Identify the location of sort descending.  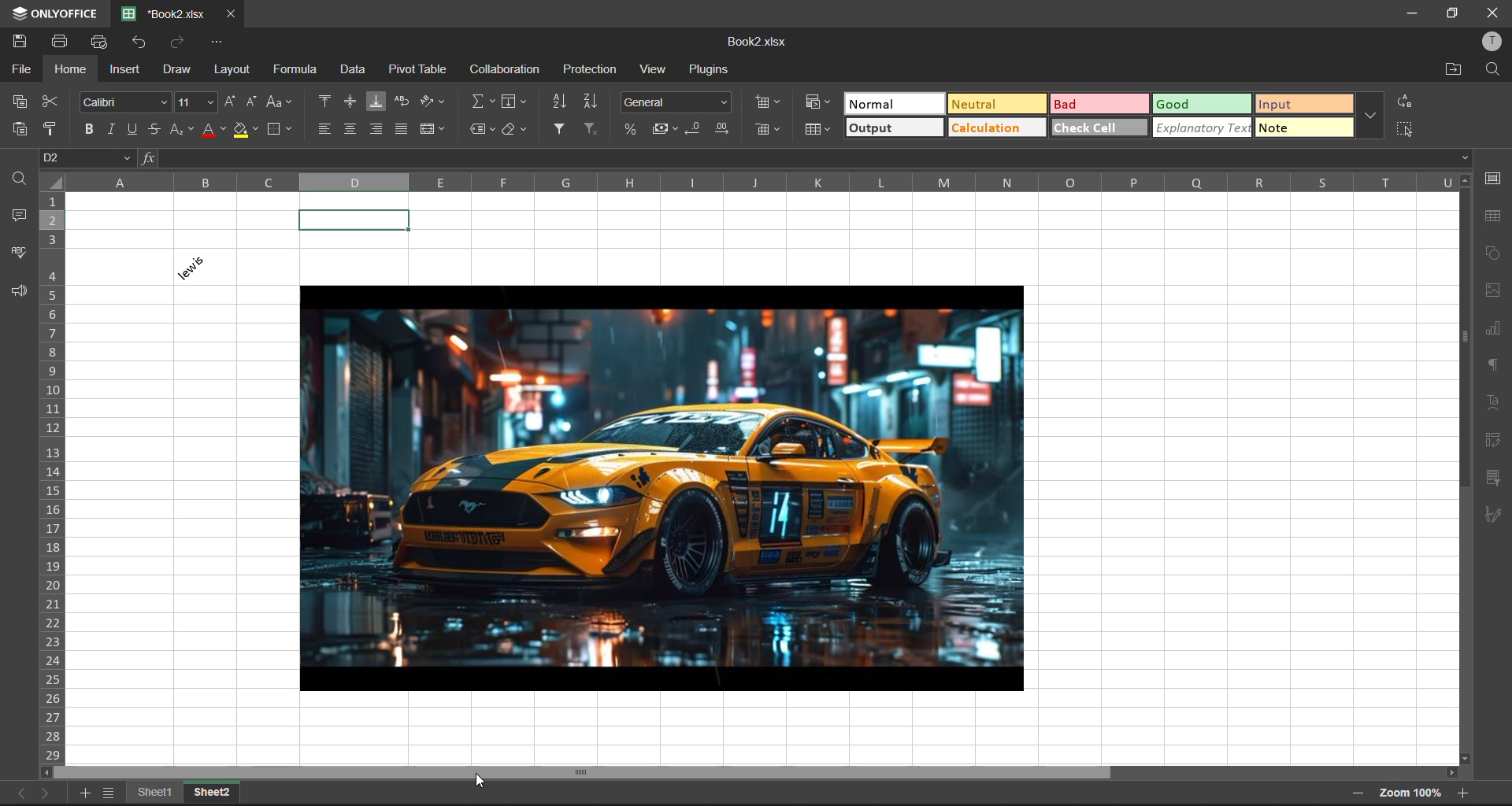
(589, 103).